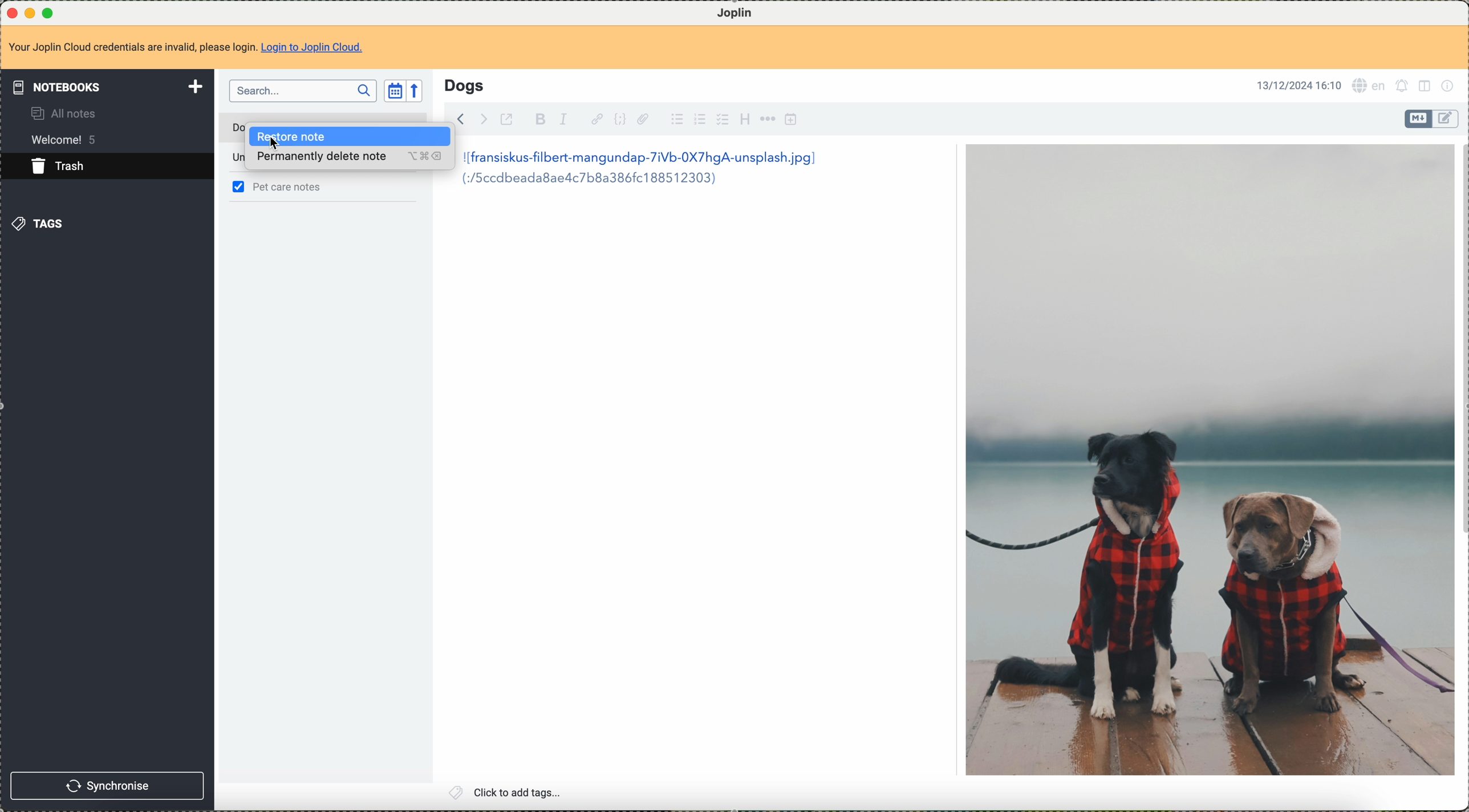 The height and width of the screenshot is (812, 1469). Describe the element at coordinates (1208, 460) in the screenshot. I see `image` at that location.